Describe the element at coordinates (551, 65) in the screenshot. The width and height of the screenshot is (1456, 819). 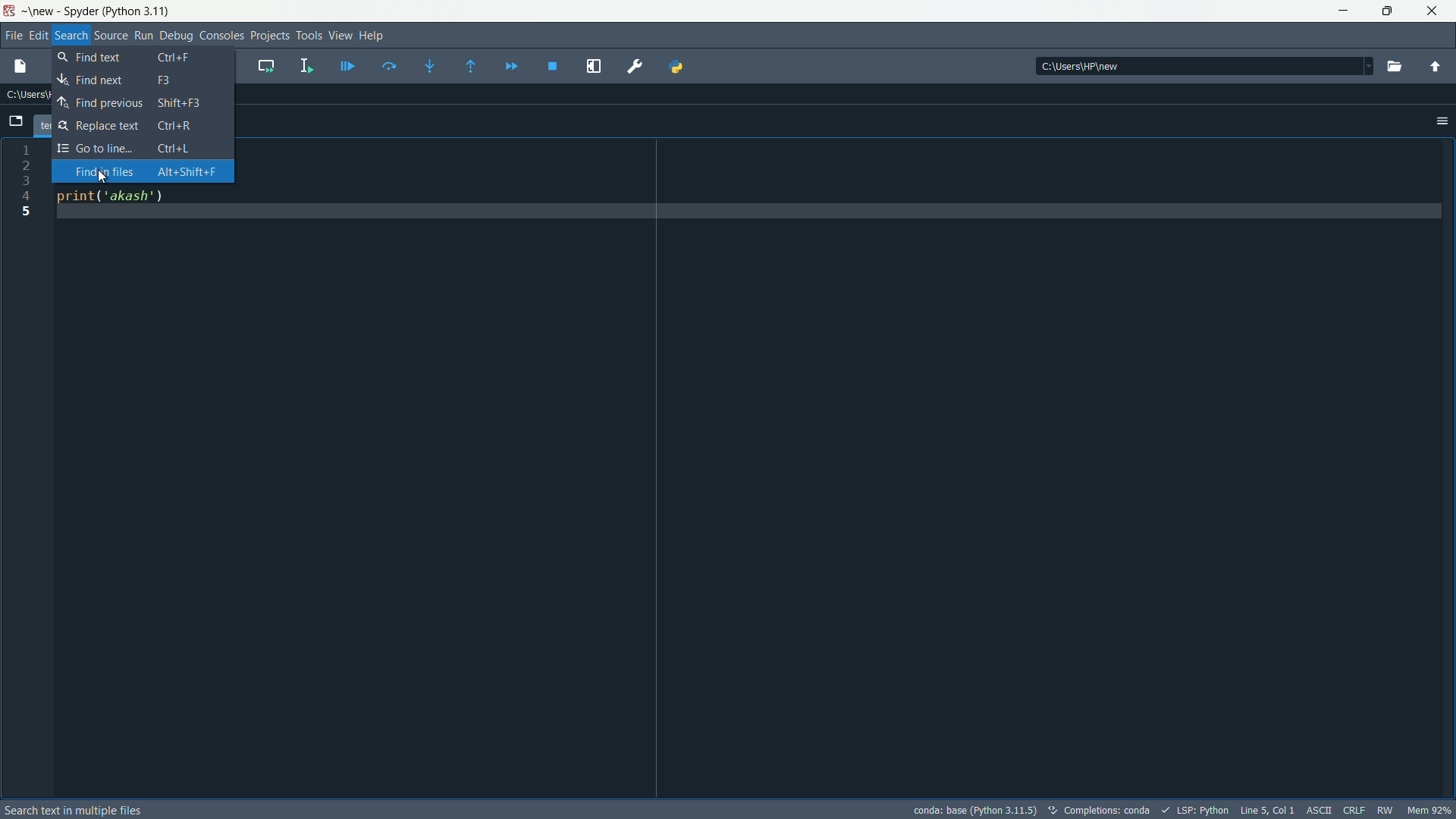
I see `stop debugging` at that location.